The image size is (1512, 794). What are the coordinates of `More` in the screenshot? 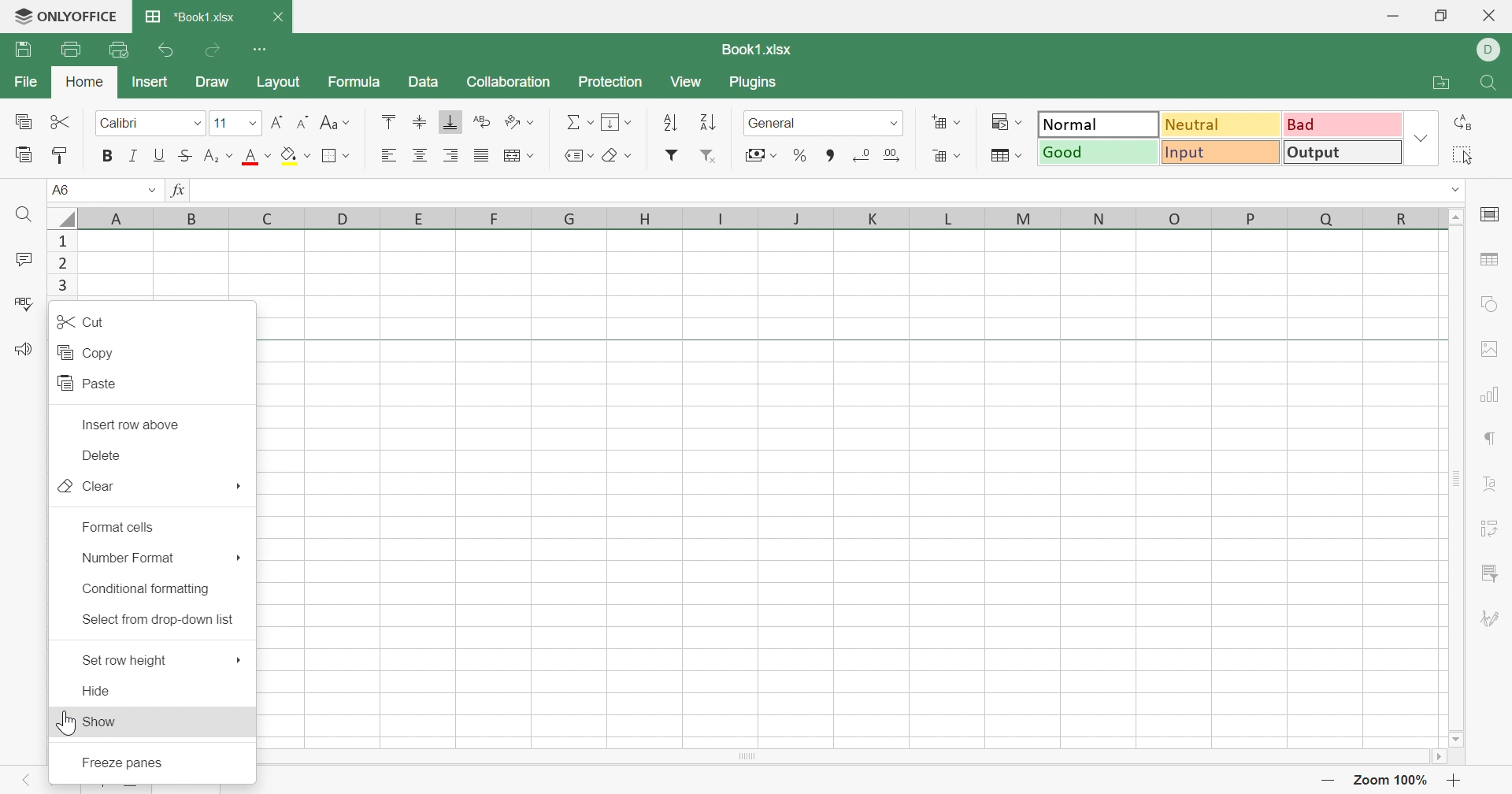 It's located at (239, 489).